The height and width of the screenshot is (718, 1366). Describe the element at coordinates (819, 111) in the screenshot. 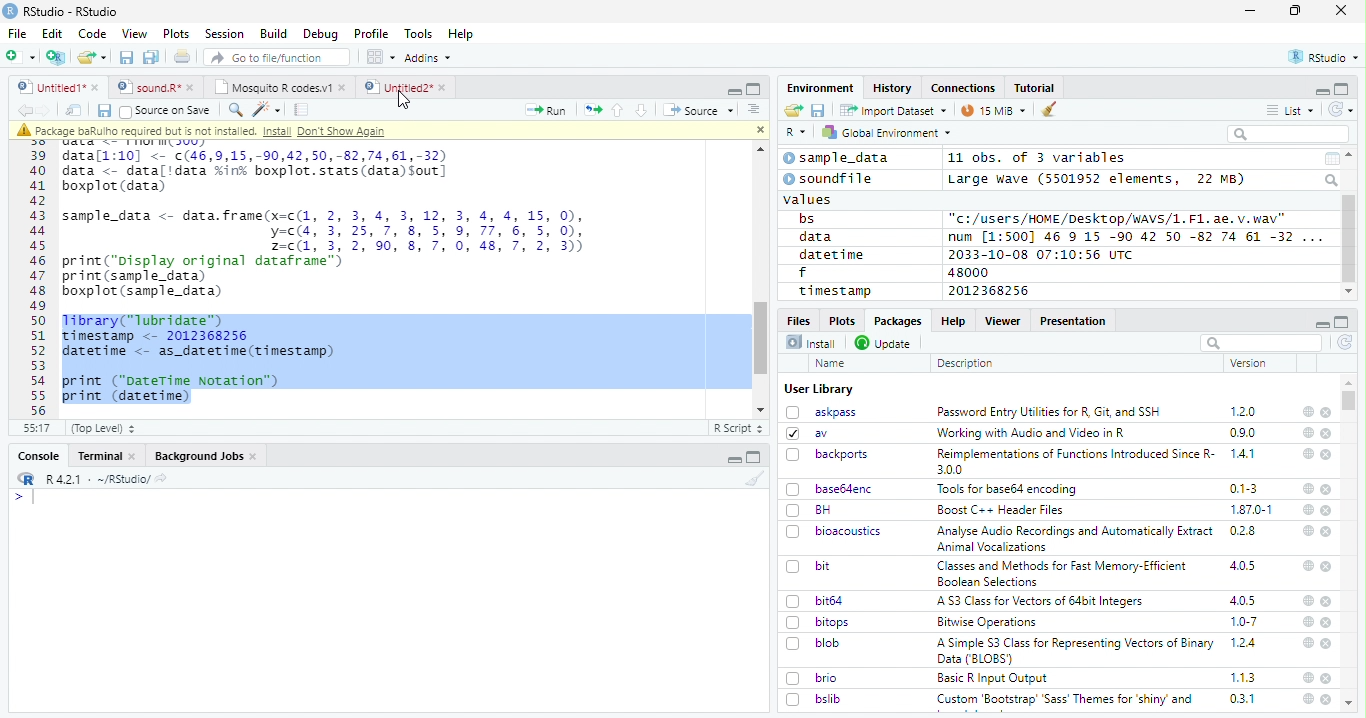

I see `Save` at that location.